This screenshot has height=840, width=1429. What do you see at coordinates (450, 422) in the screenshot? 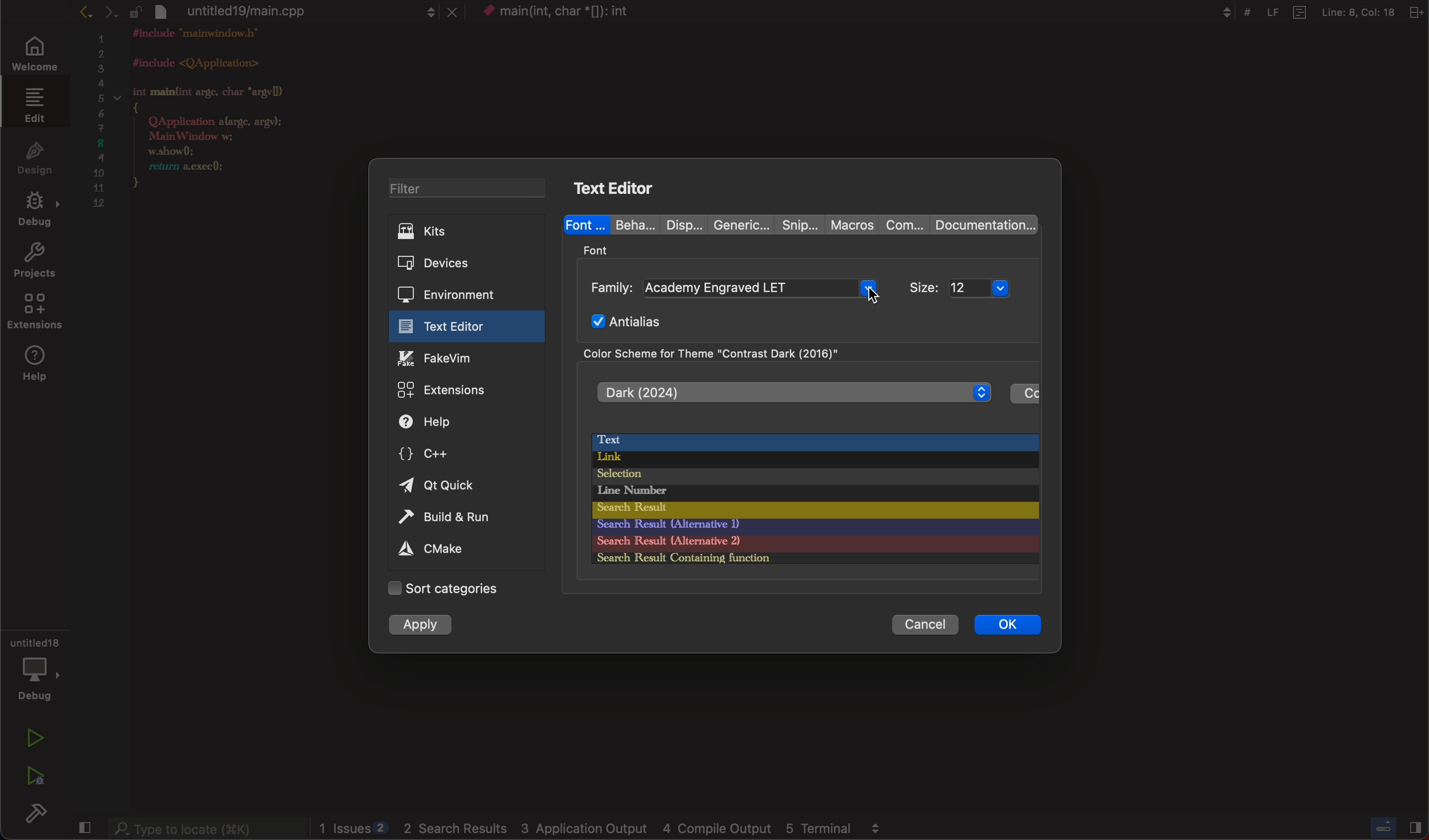
I see `help` at bounding box center [450, 422].